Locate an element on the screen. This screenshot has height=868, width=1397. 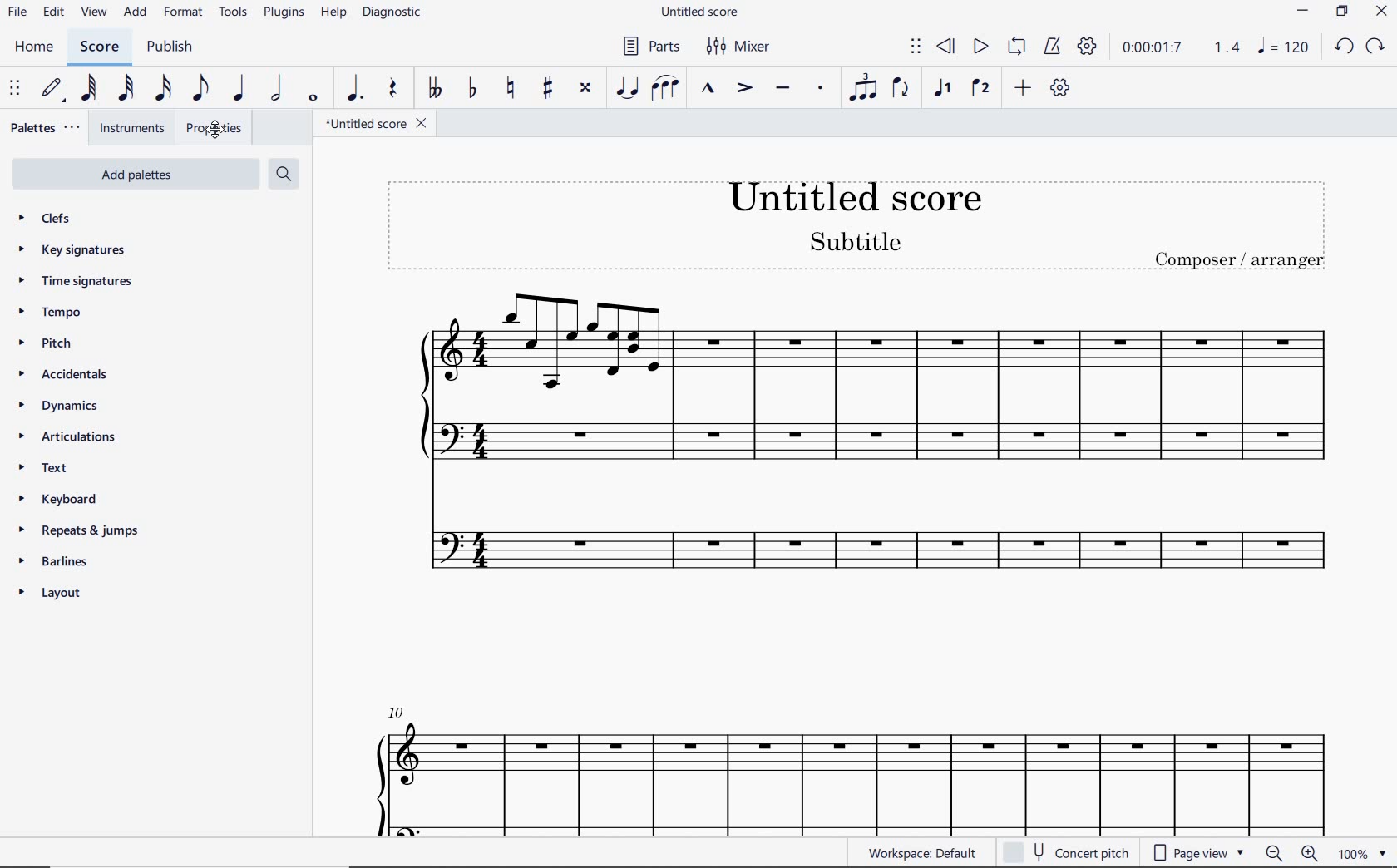
DIAGNOSTIC is located at coordinates (393, 14).